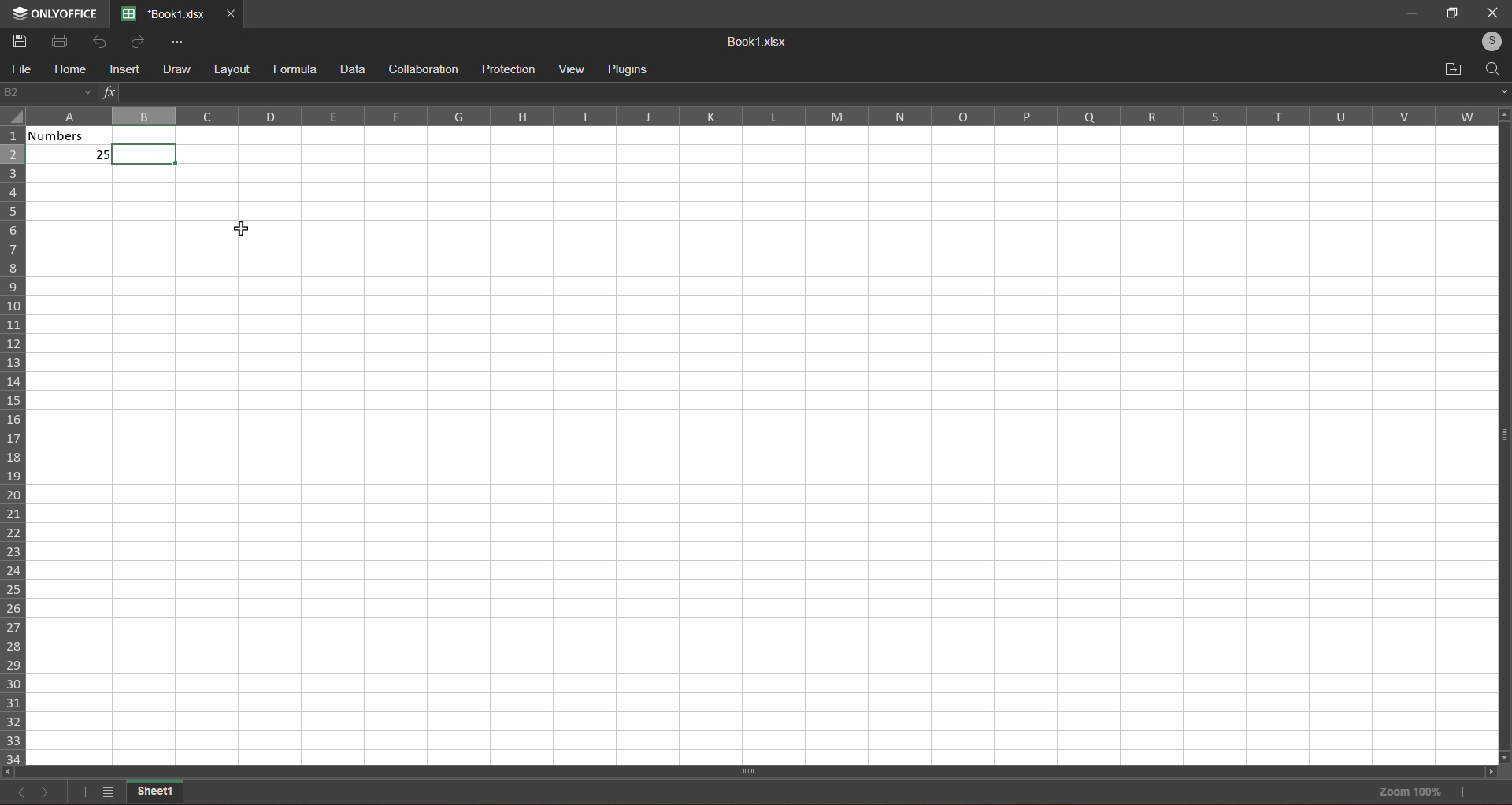  What do you see at coordinates (350, 69) in the screenshot?
I see `data` at bounding box center [350, 69].